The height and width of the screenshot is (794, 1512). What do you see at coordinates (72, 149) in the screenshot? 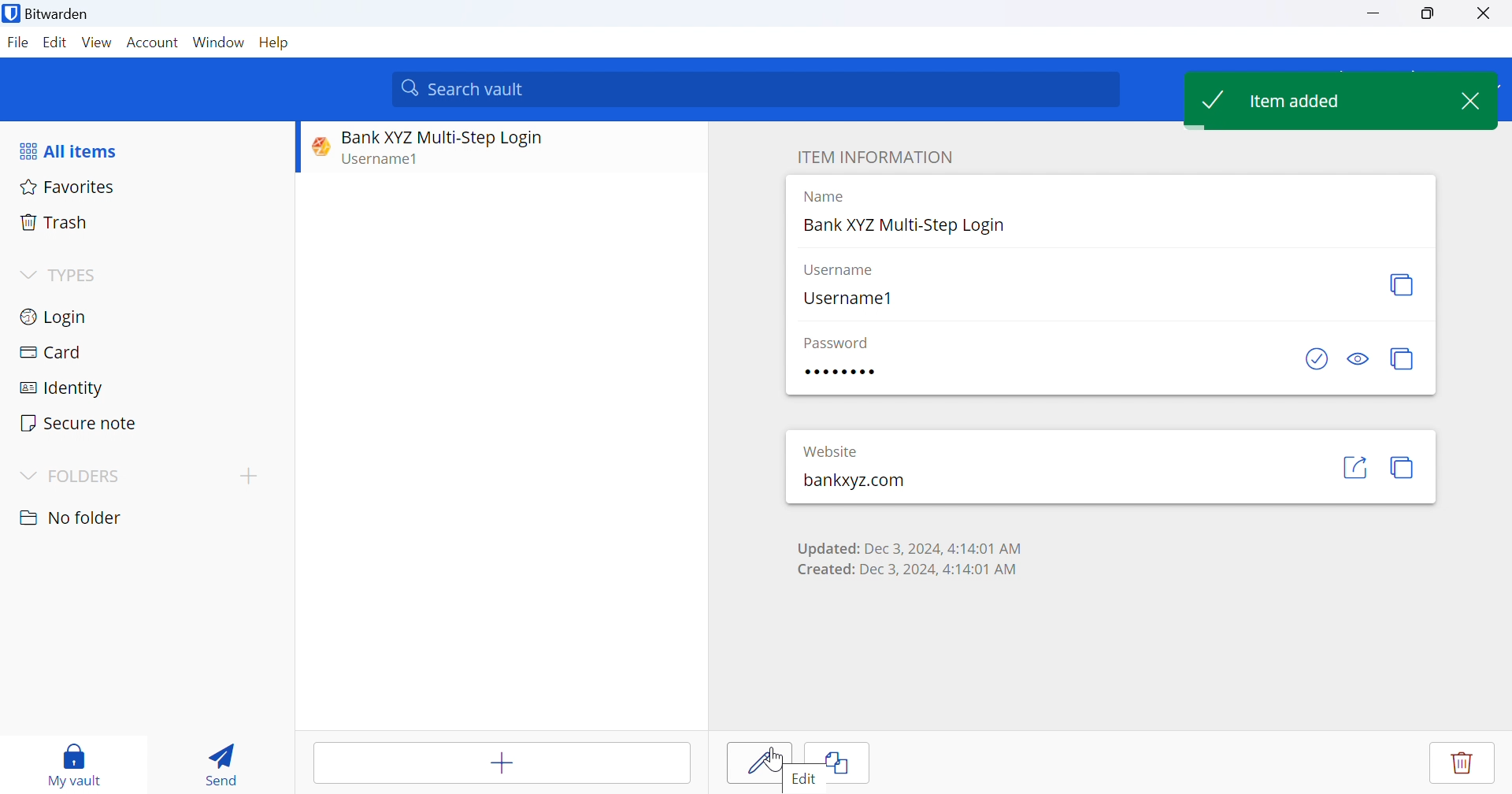
I see `All items` at bounding box center [72, 149].